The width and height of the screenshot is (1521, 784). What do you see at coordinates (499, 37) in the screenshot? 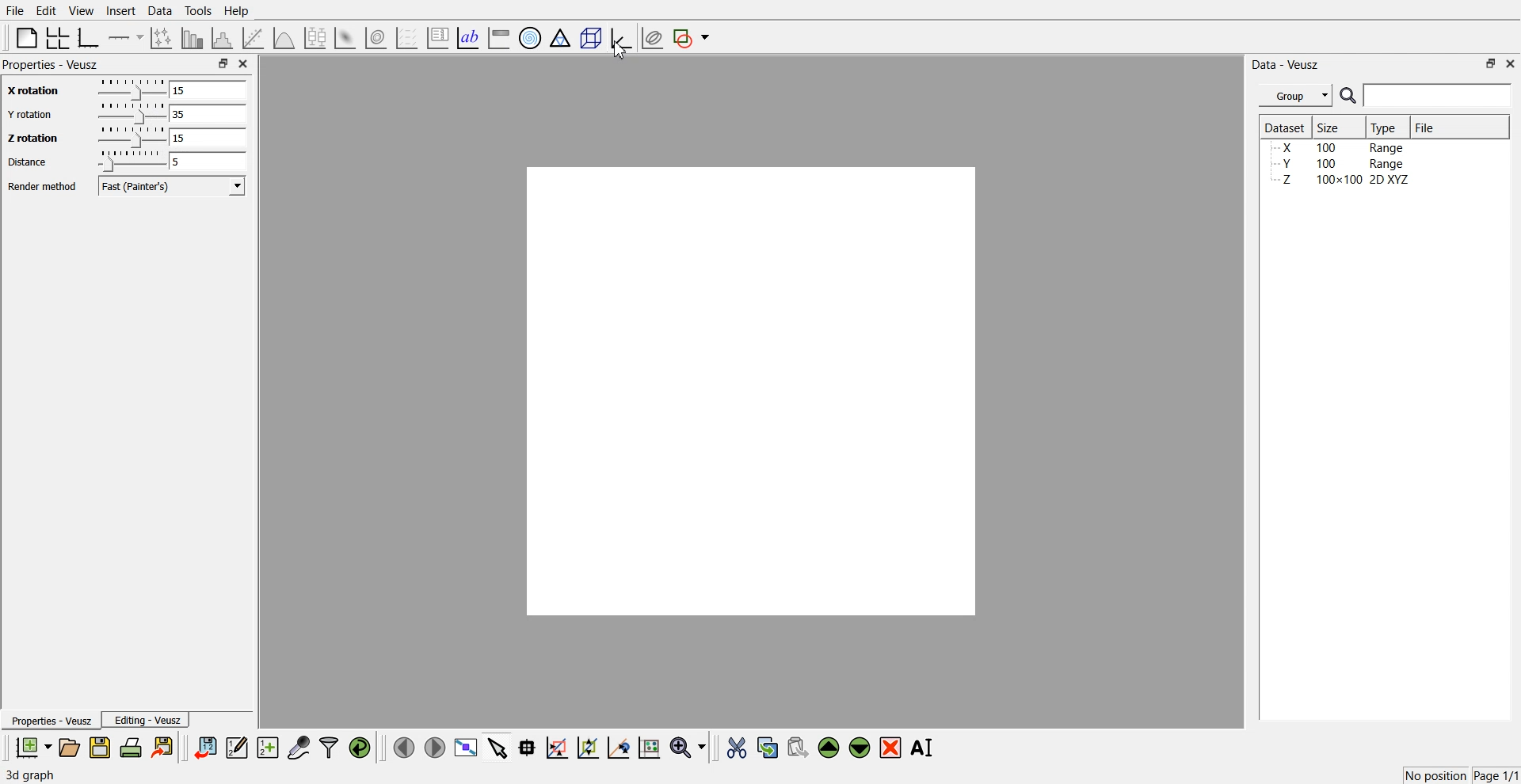
I see `Image color bar` at bounding box center [499, 37].